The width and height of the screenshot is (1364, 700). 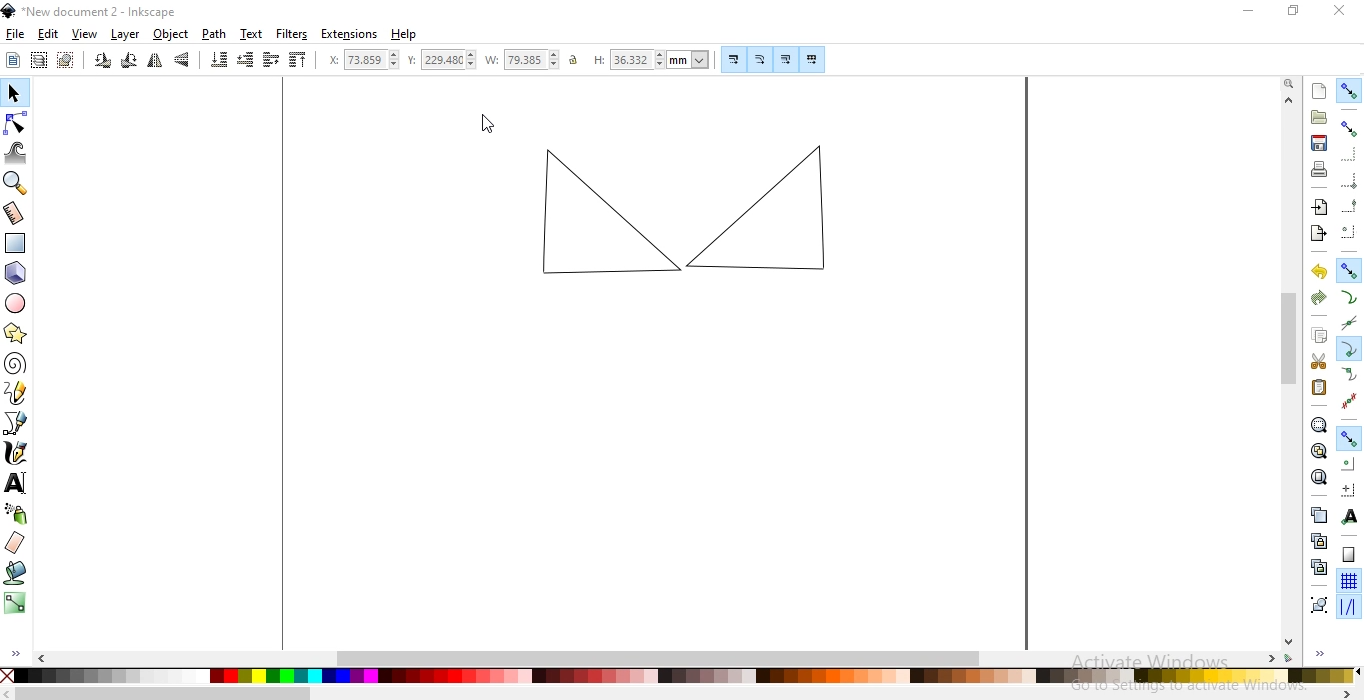 I want to click on snap bounding boxes, so click(x=1350, y=127).